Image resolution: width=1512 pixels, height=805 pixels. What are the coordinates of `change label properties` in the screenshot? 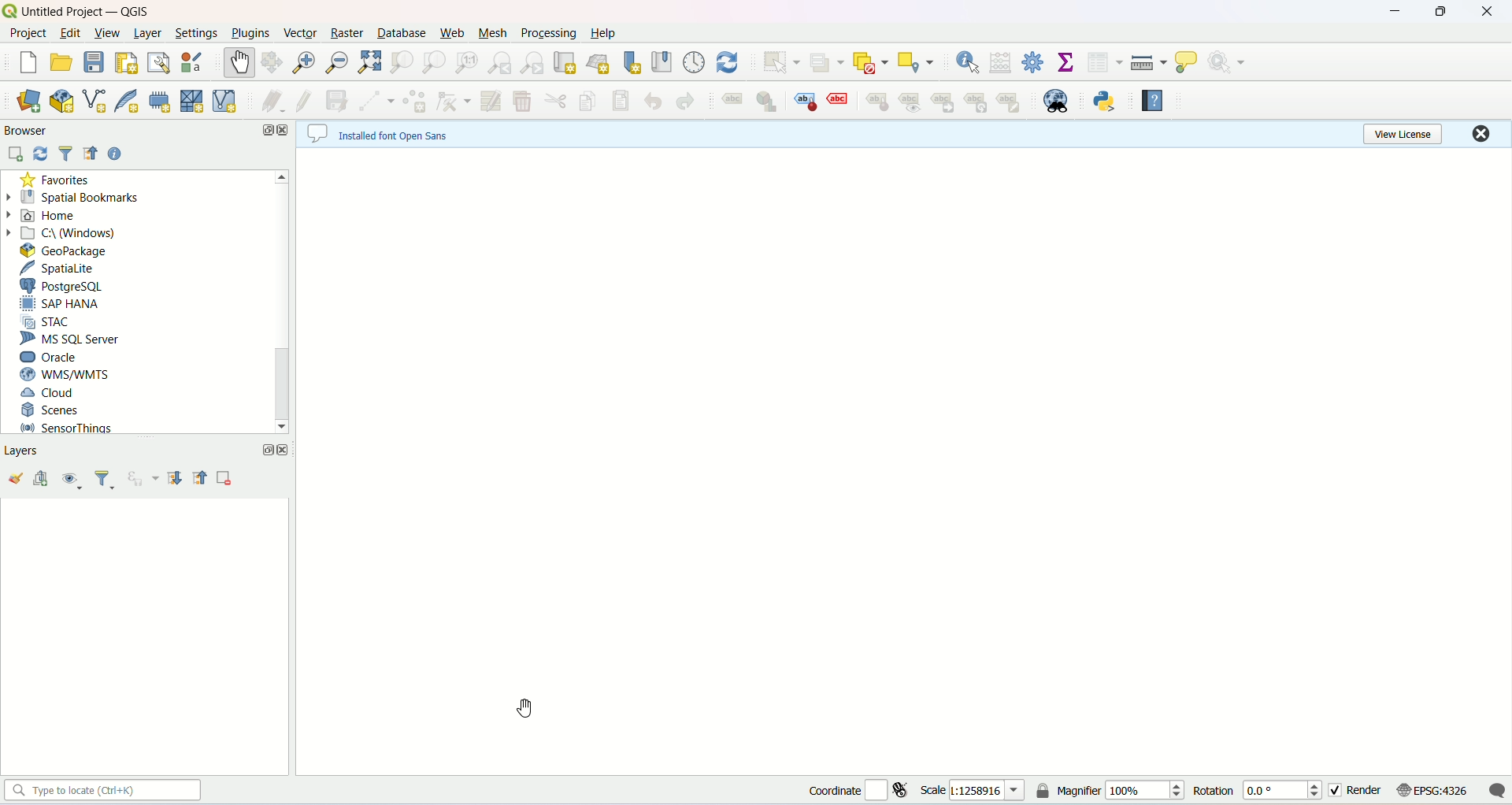 It's located at (1008, 101).